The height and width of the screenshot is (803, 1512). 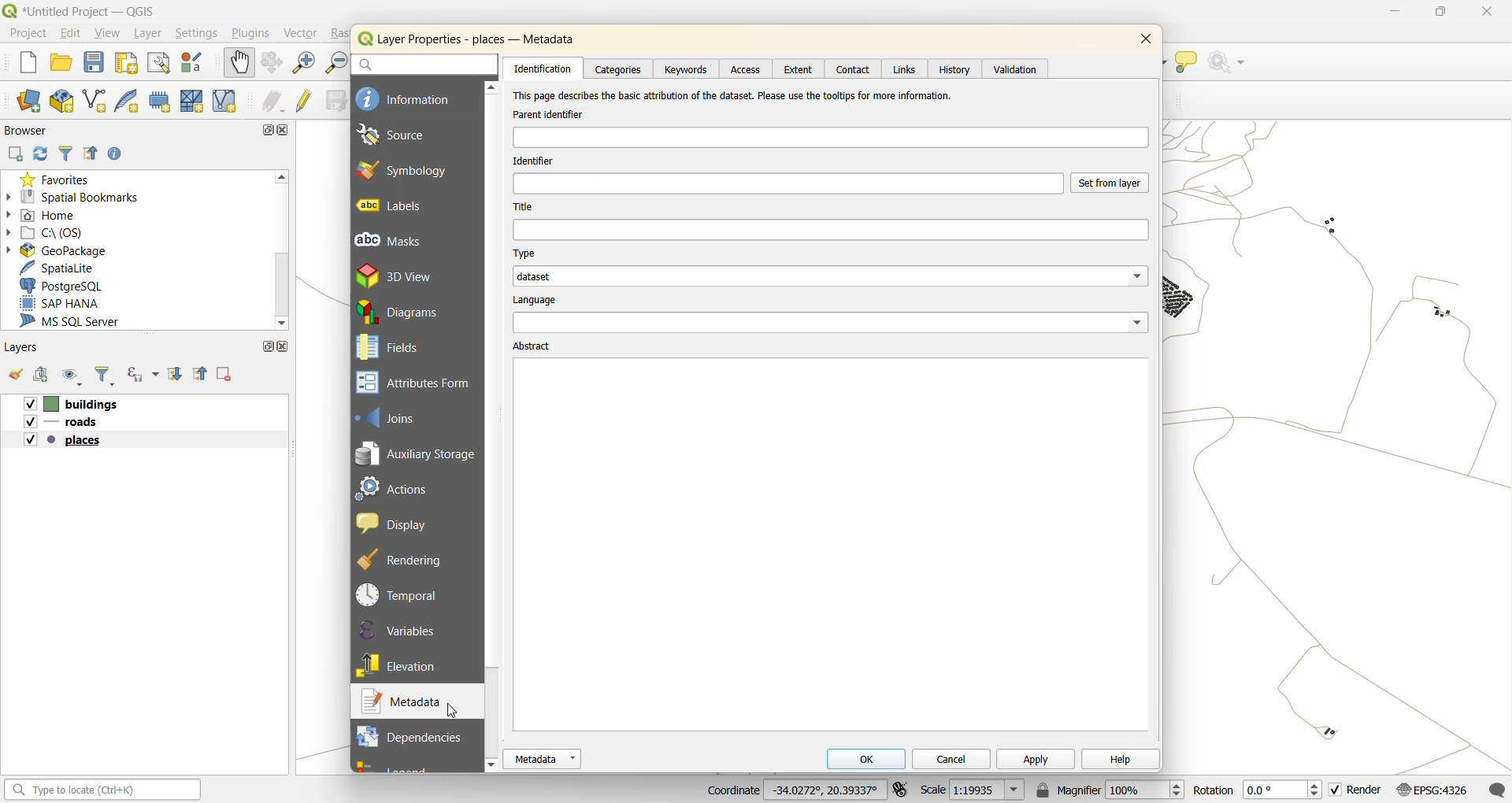 What do you see at coordinates (399, 592) in the screenshot?
I see `temporal` at bounding box center [399, 592].